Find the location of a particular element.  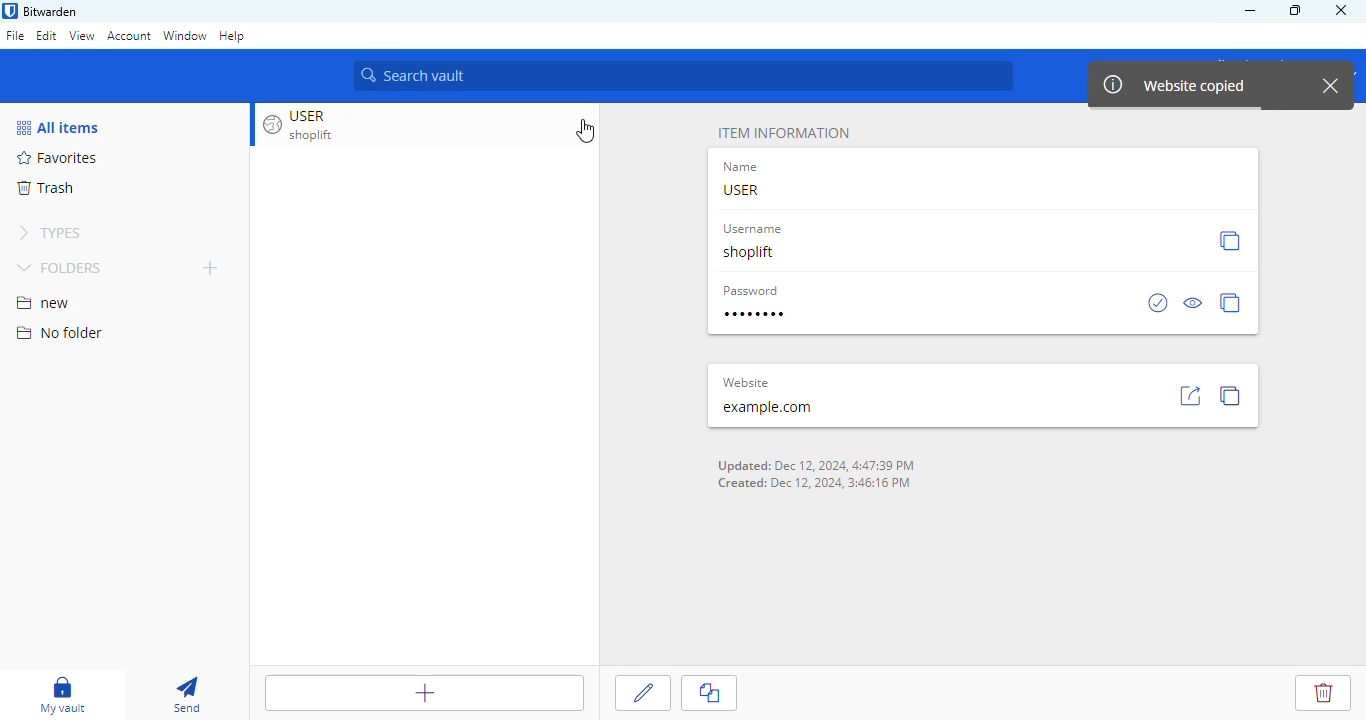

check if password has been exposed is located at coordinates (1159, 303).